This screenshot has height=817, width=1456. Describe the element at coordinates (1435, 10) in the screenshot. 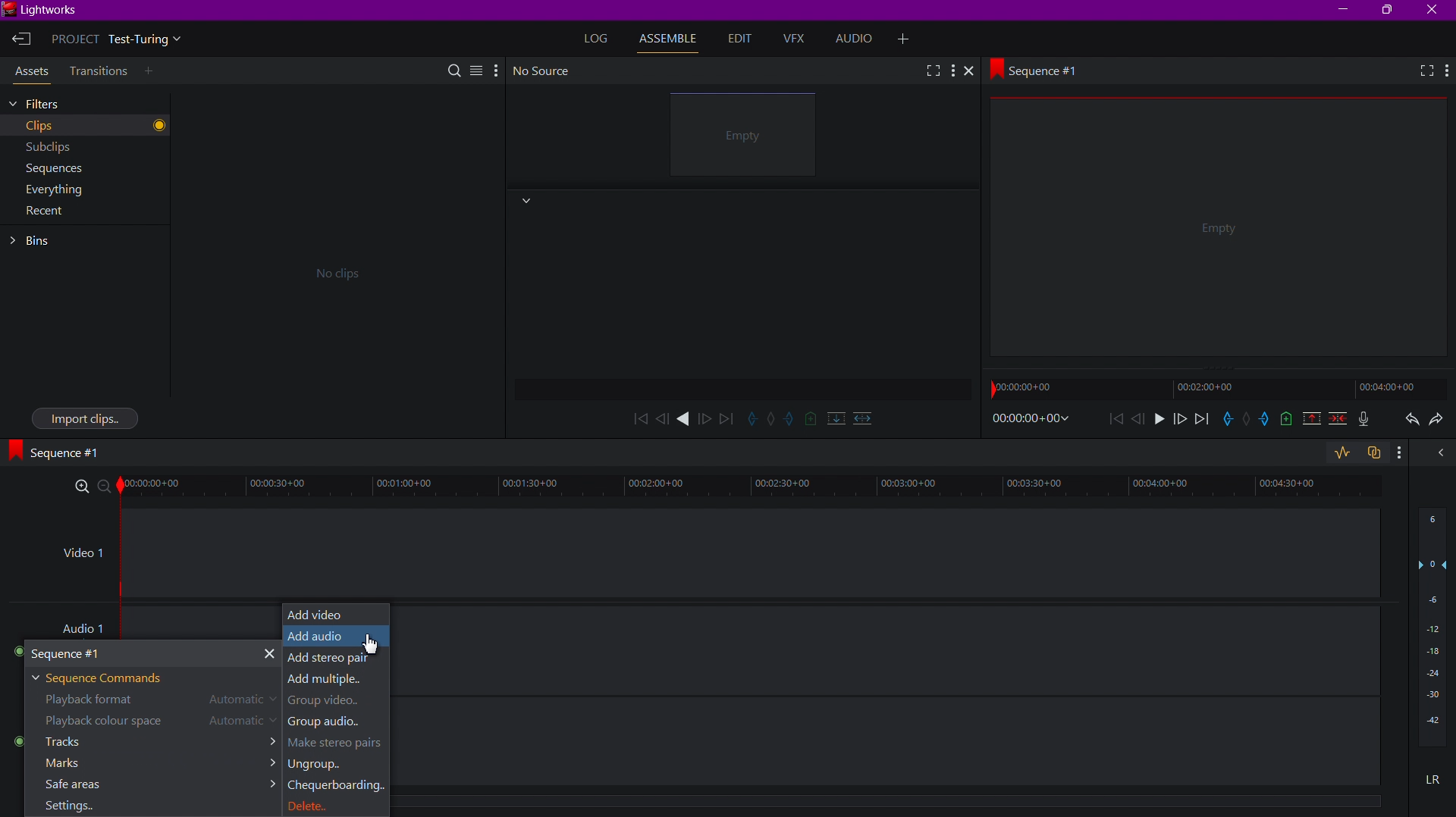

I see `Close` at that location.